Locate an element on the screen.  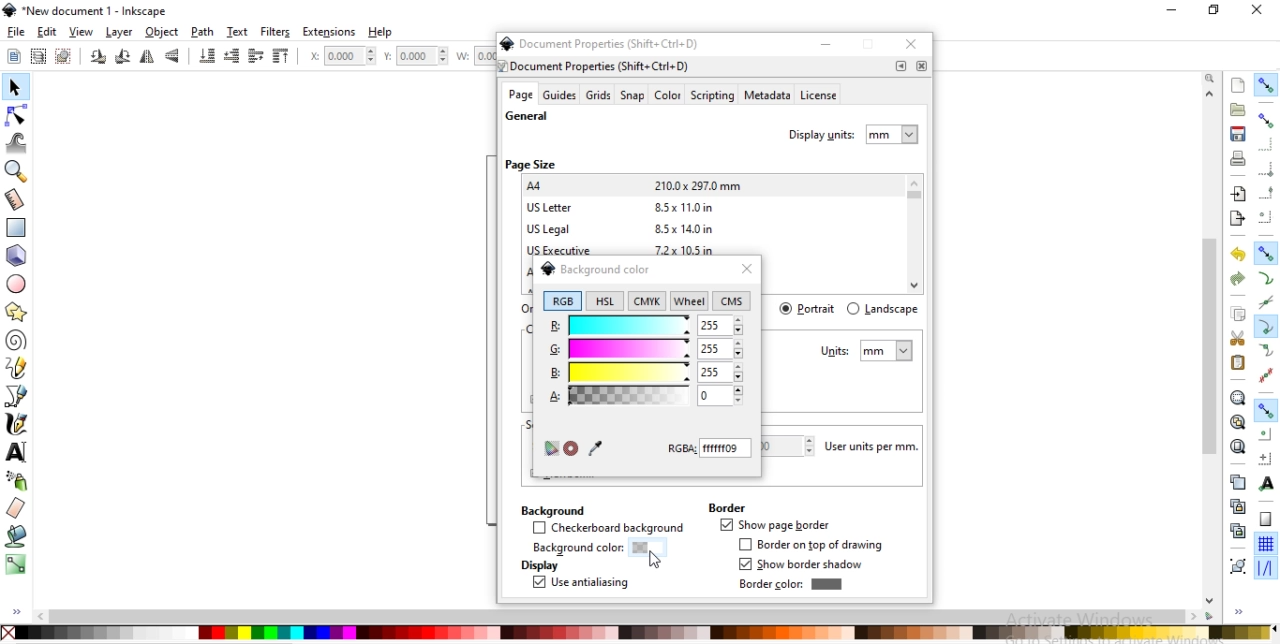
create or edit text objects is located at coordinates (17, 451).